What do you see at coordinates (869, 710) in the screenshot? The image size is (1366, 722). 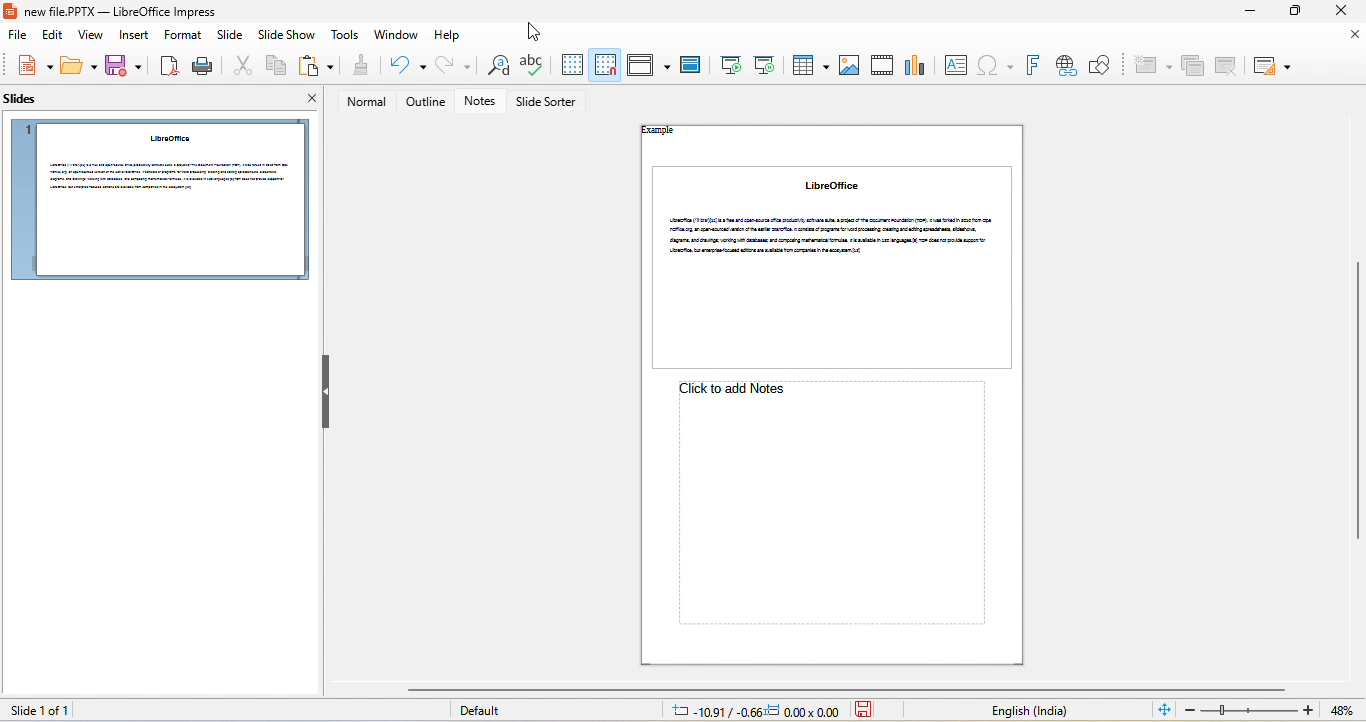 I see `the document has not been modified since the last save` at bounding box center [869, 710].